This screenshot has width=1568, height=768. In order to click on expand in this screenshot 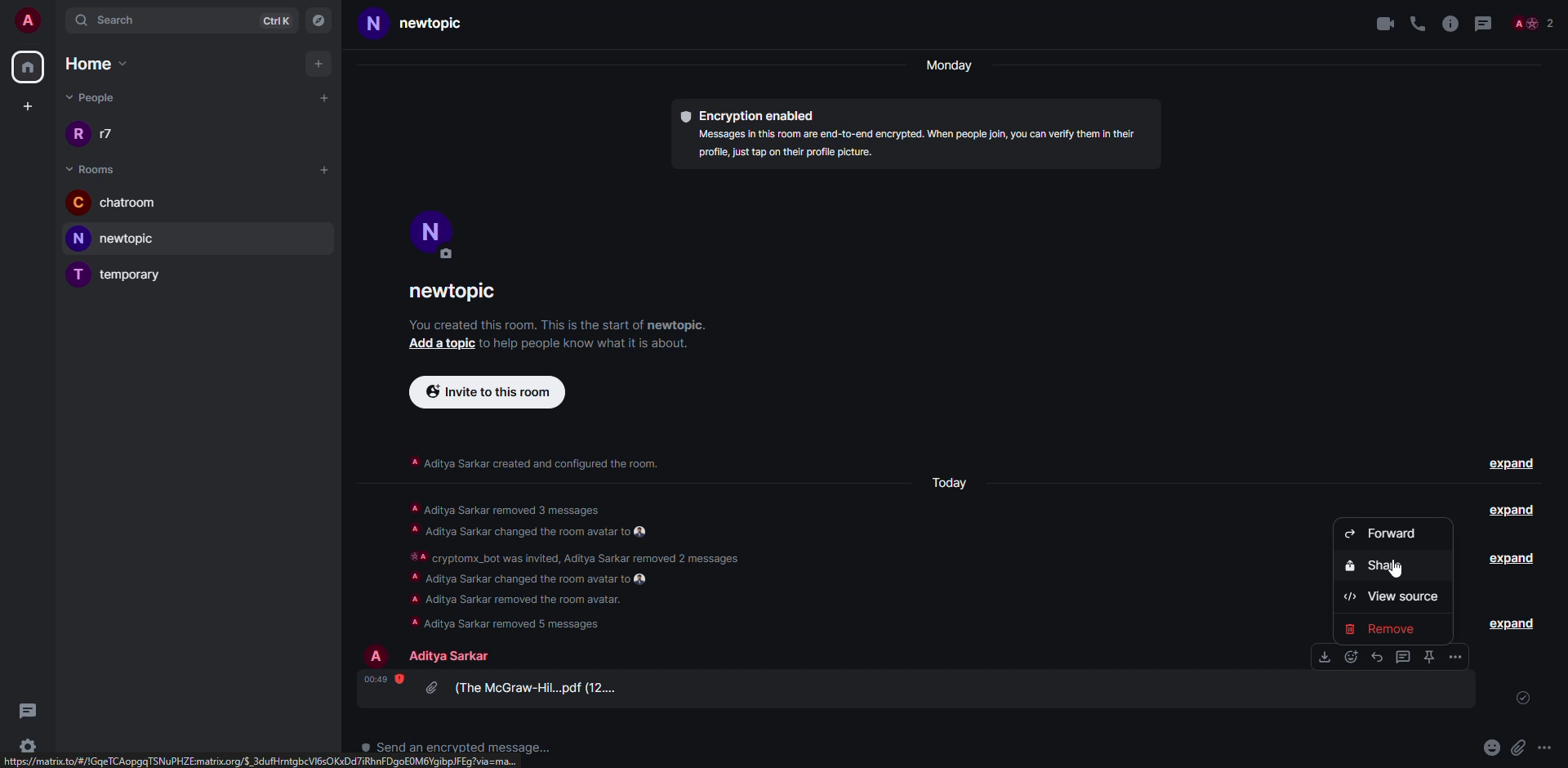, I will do `click(1511, 510)`.